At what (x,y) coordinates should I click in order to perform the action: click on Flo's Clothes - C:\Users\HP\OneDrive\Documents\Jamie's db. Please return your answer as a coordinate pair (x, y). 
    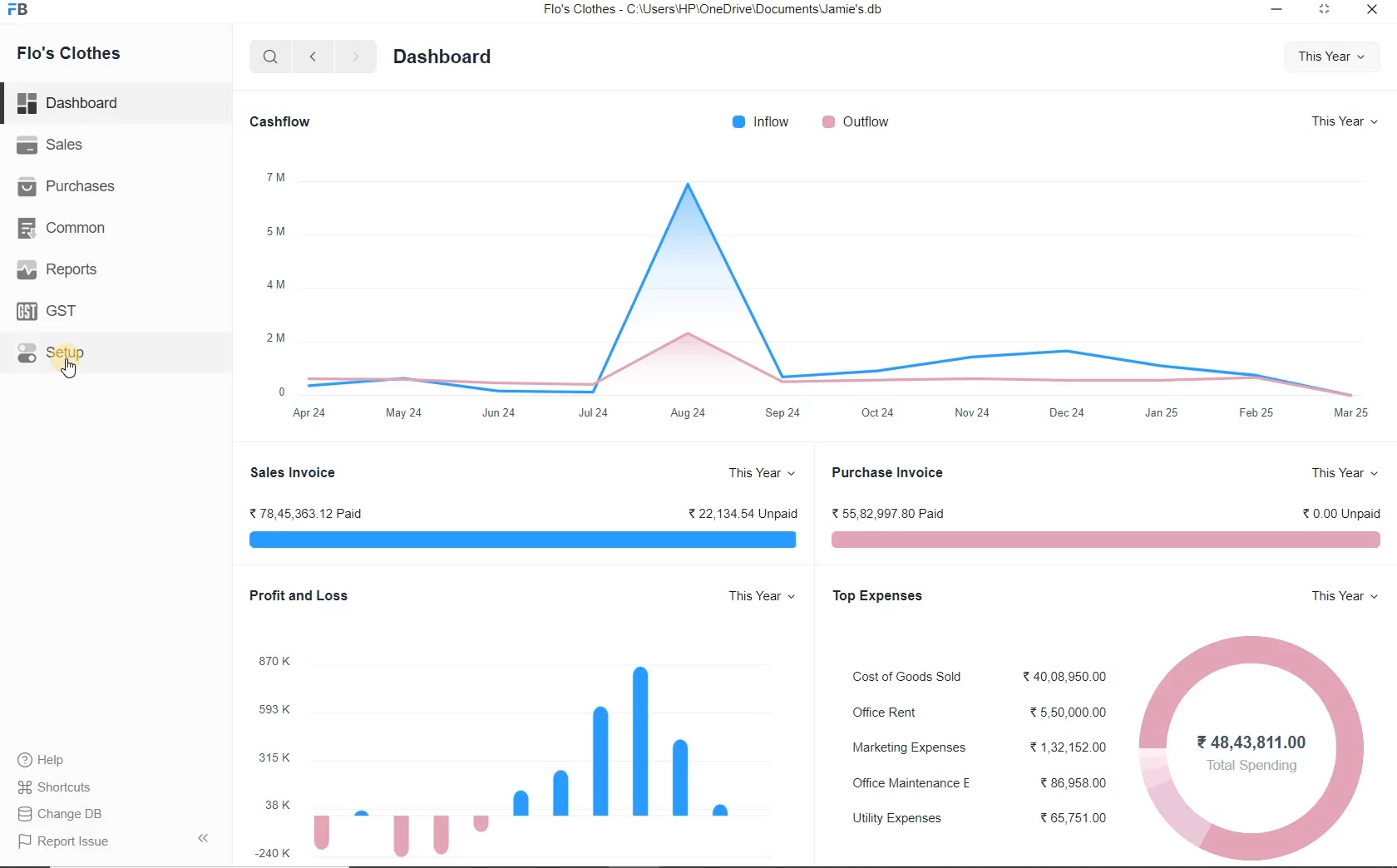
    Looking at the image, I should click on (712, 9).